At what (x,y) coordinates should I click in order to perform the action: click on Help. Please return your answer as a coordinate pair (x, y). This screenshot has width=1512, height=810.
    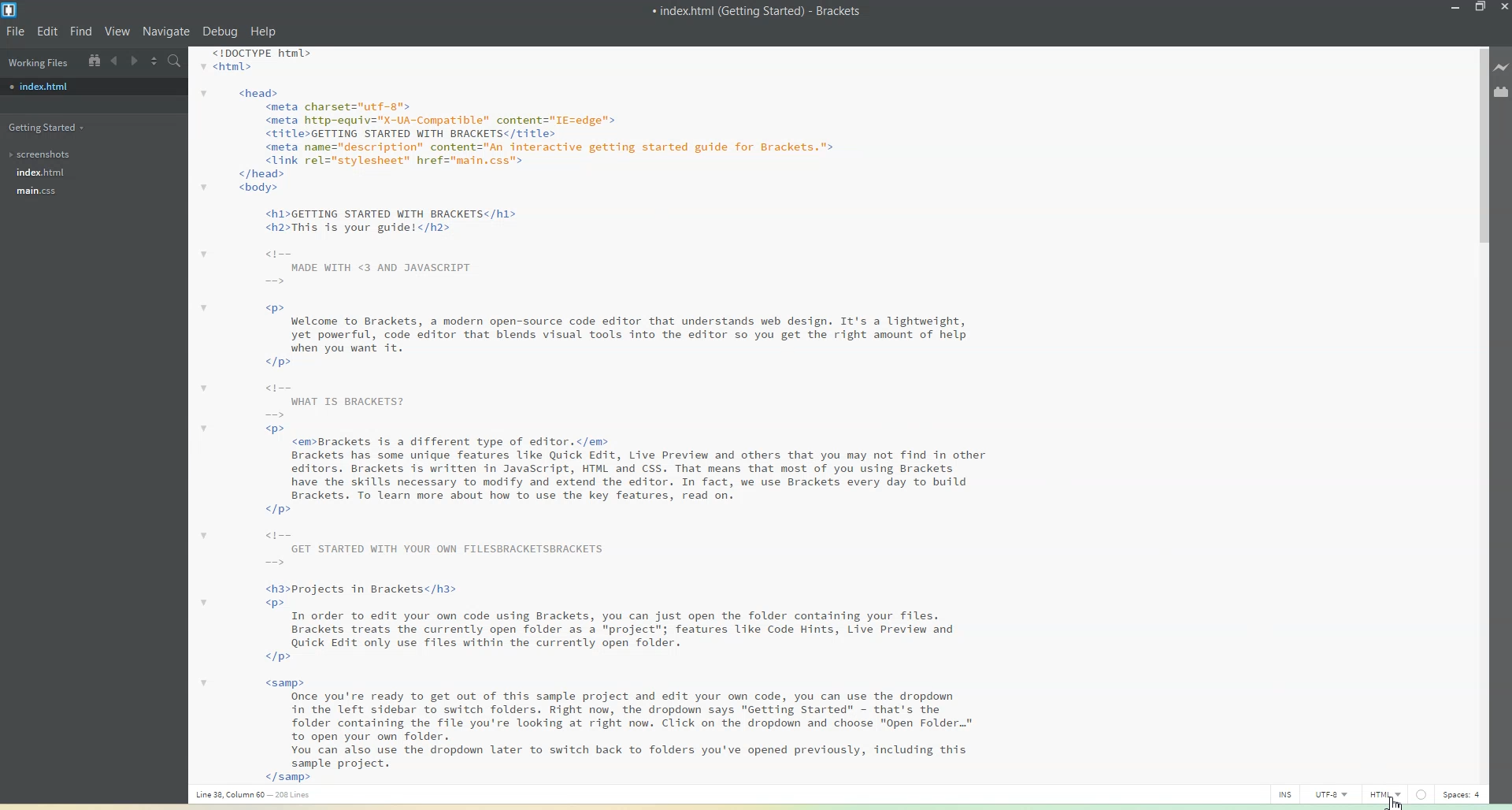
    Looking at the image, I should click on (262, 32).